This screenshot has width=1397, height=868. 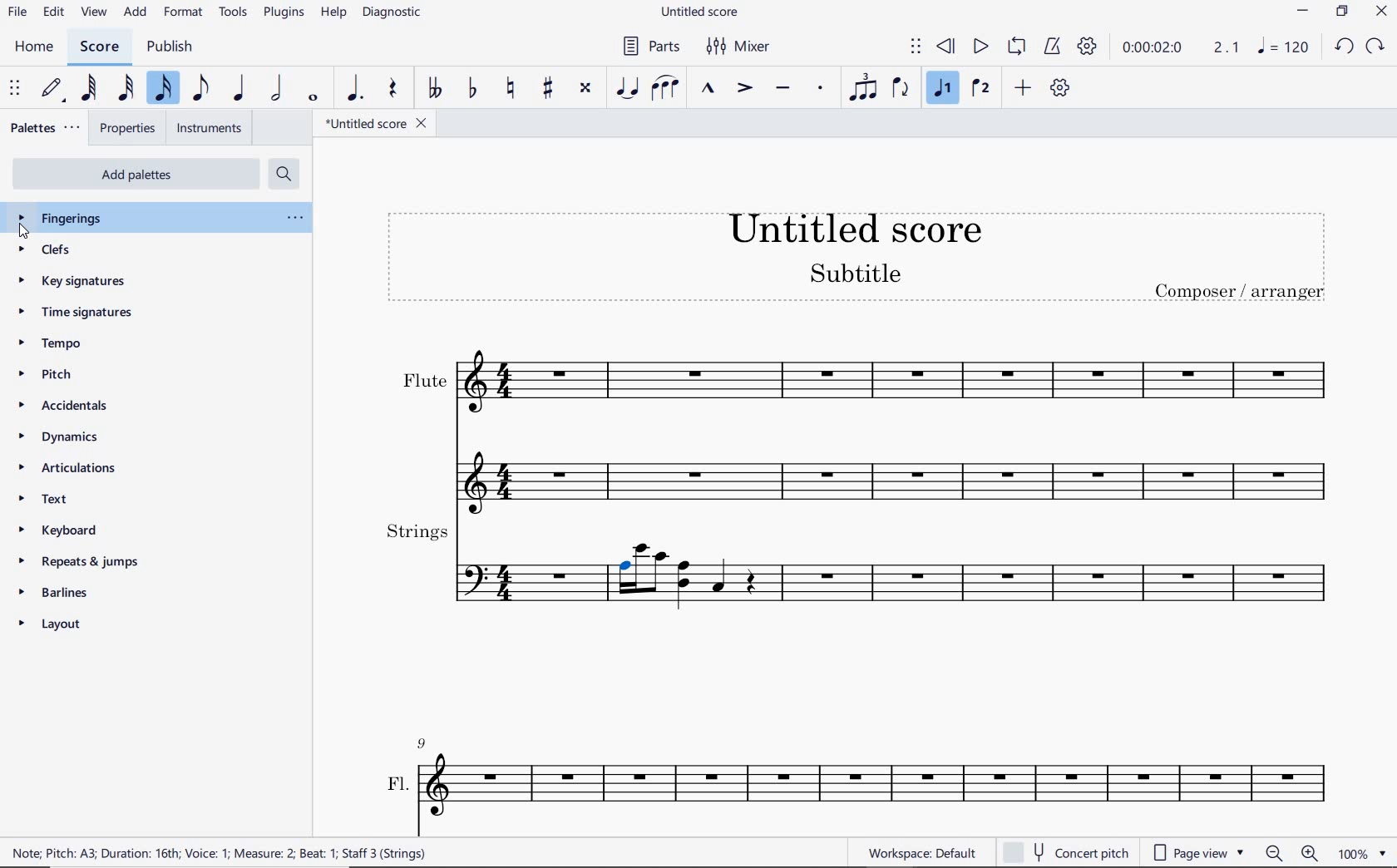 What do you see at coordinates (285, 176) in the screenshot?
I see `search palettes` at bounding box center [285, 176].